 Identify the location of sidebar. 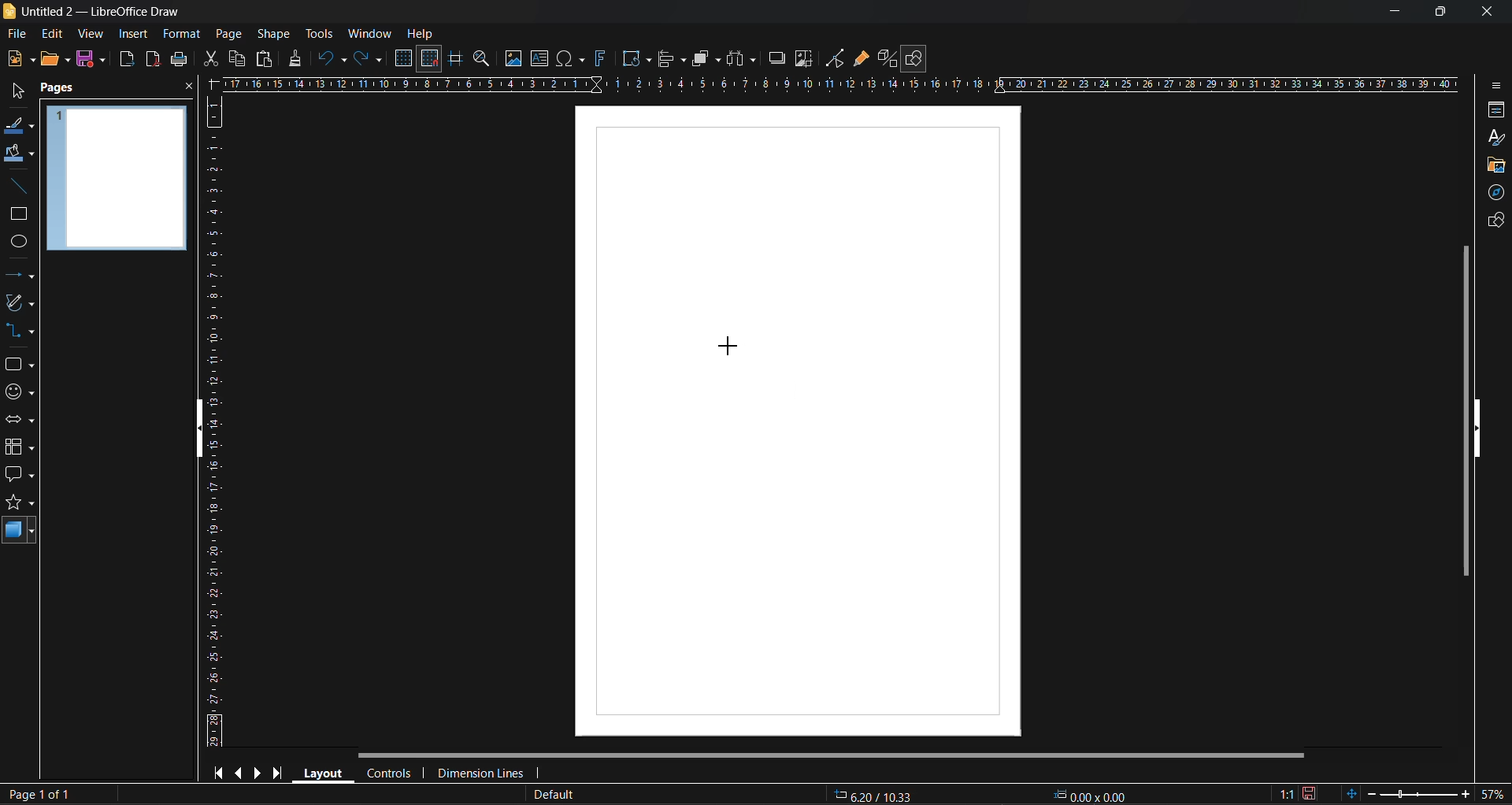
(1494, 83).